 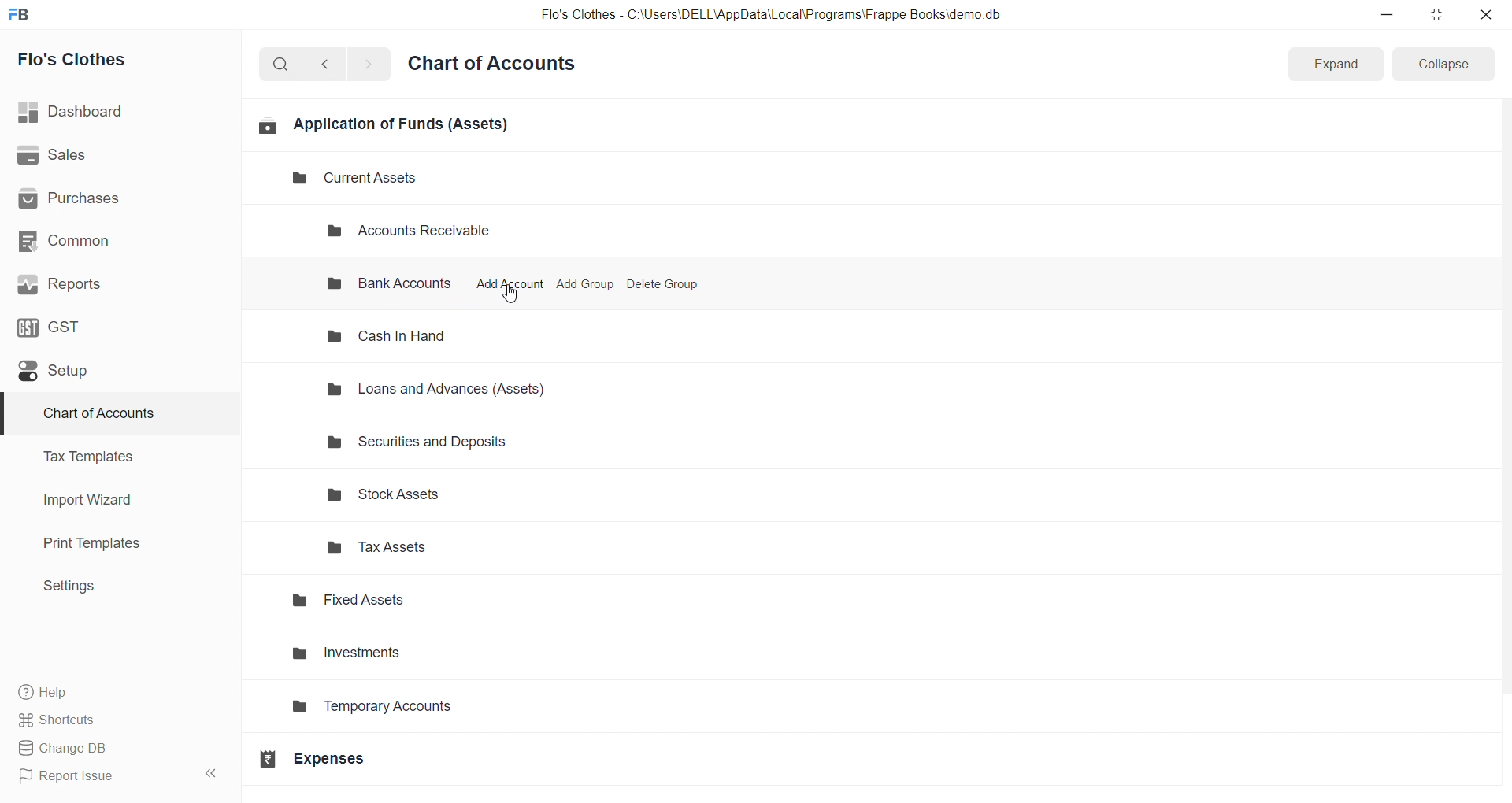 What do you see at coordinates (496, 65) in the screenshot?
I see `Chart of Accounts` at bounding box center [496, 65].